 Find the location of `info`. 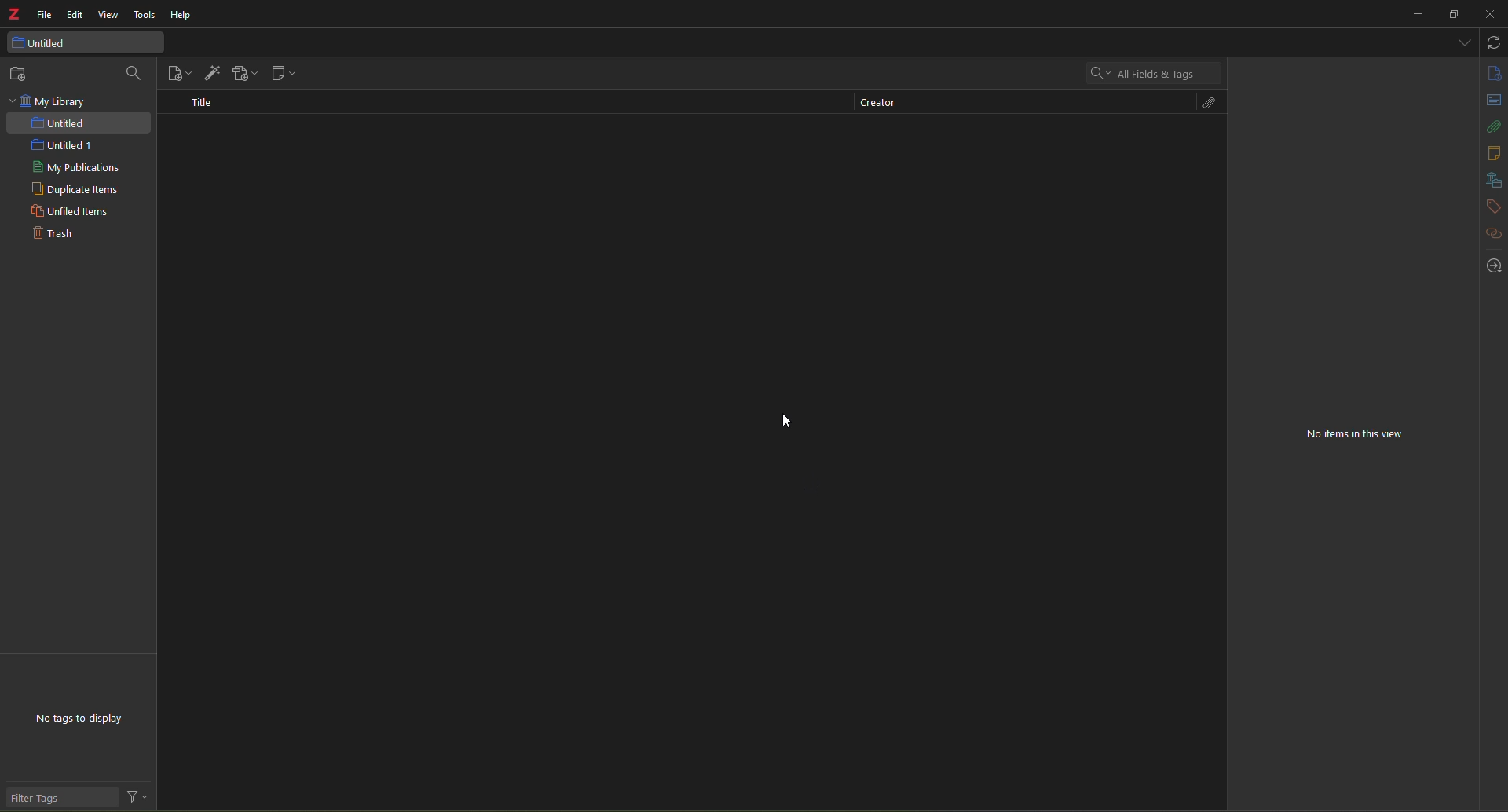

info is located at coordinates (1252, 102).